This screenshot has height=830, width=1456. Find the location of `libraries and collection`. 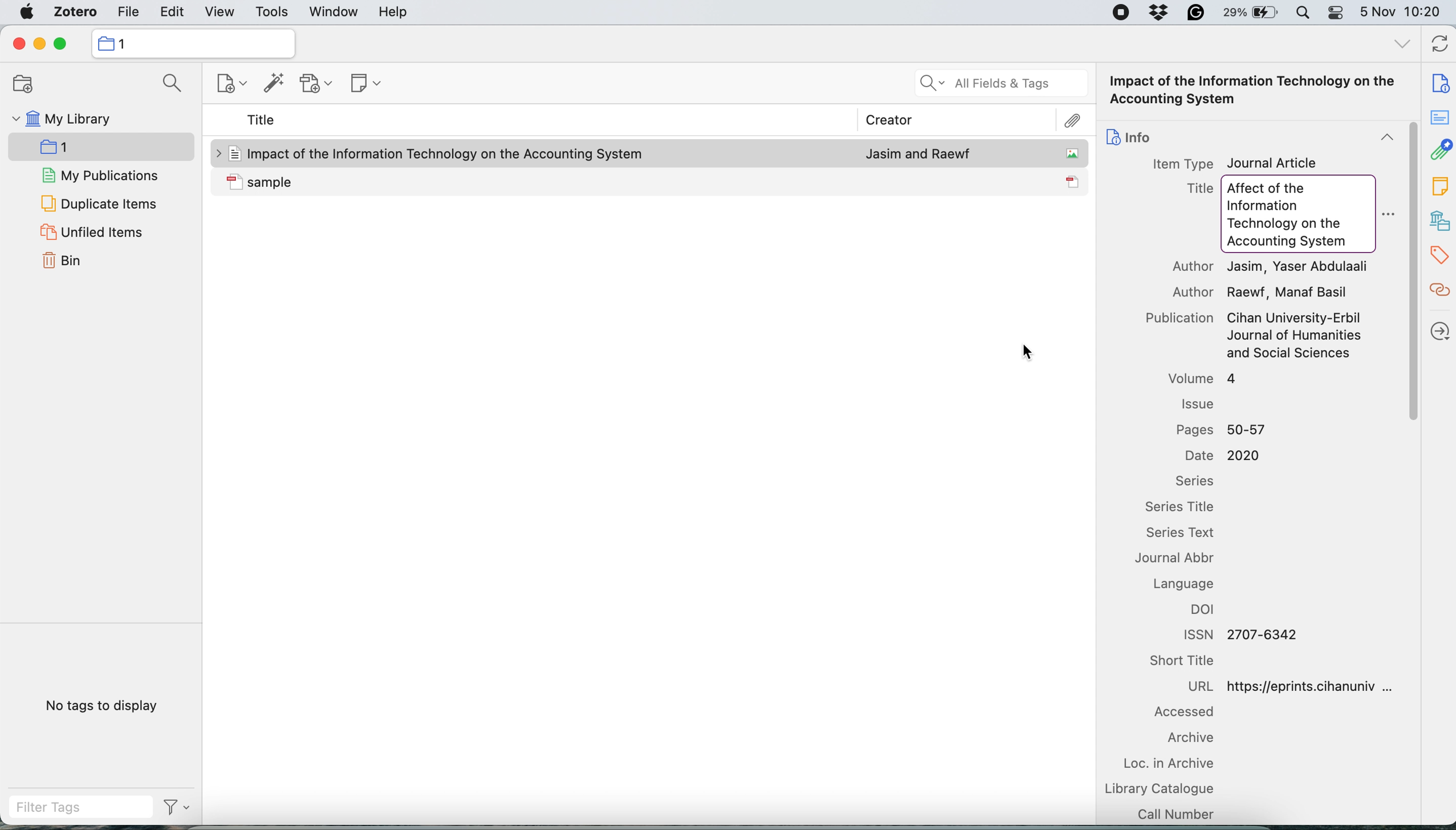

libraries and collection is located at coordinates (1439, 220).